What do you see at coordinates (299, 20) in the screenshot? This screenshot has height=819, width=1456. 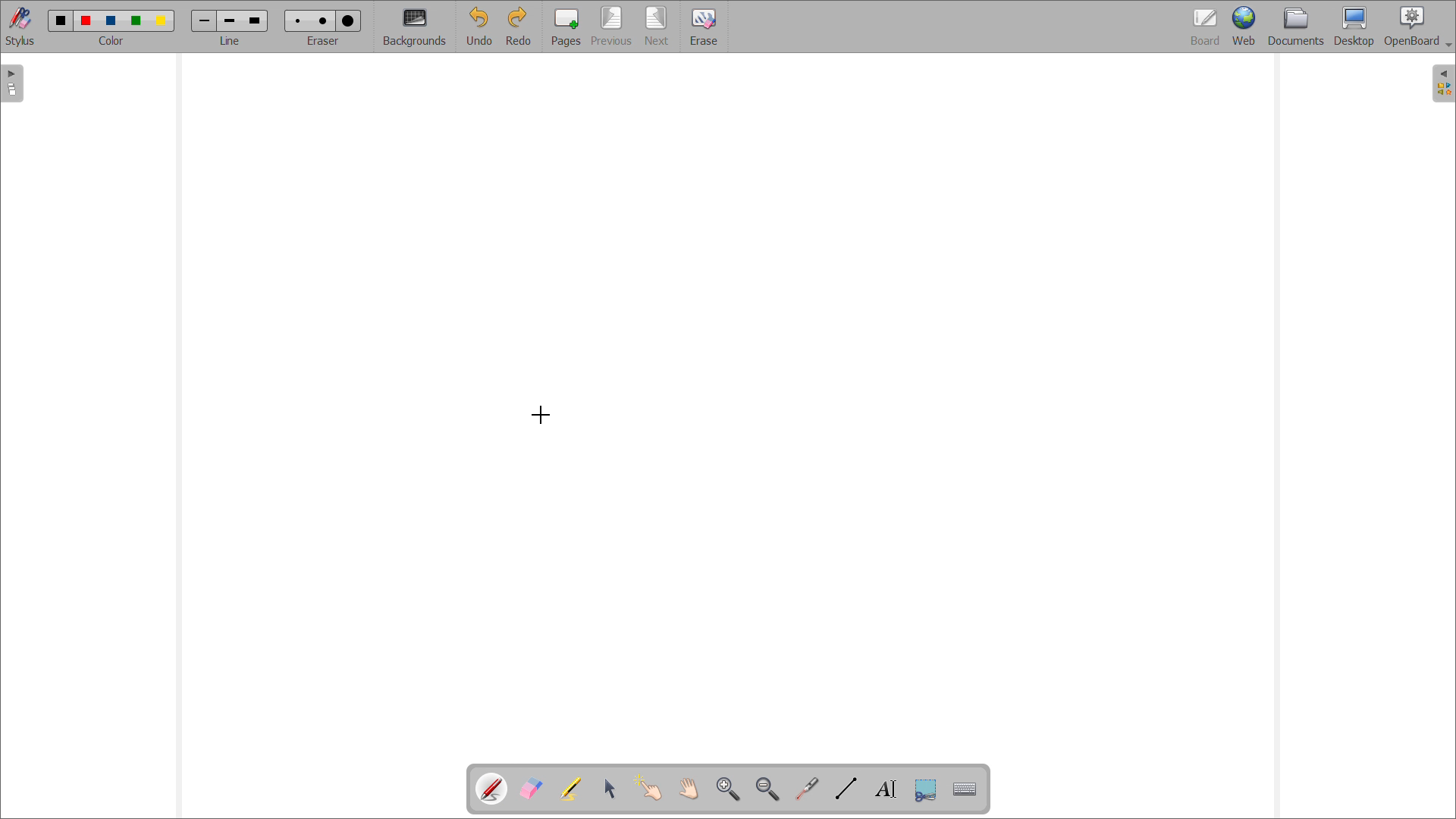 I see `Eraser size` at bounding box center [299, 20].